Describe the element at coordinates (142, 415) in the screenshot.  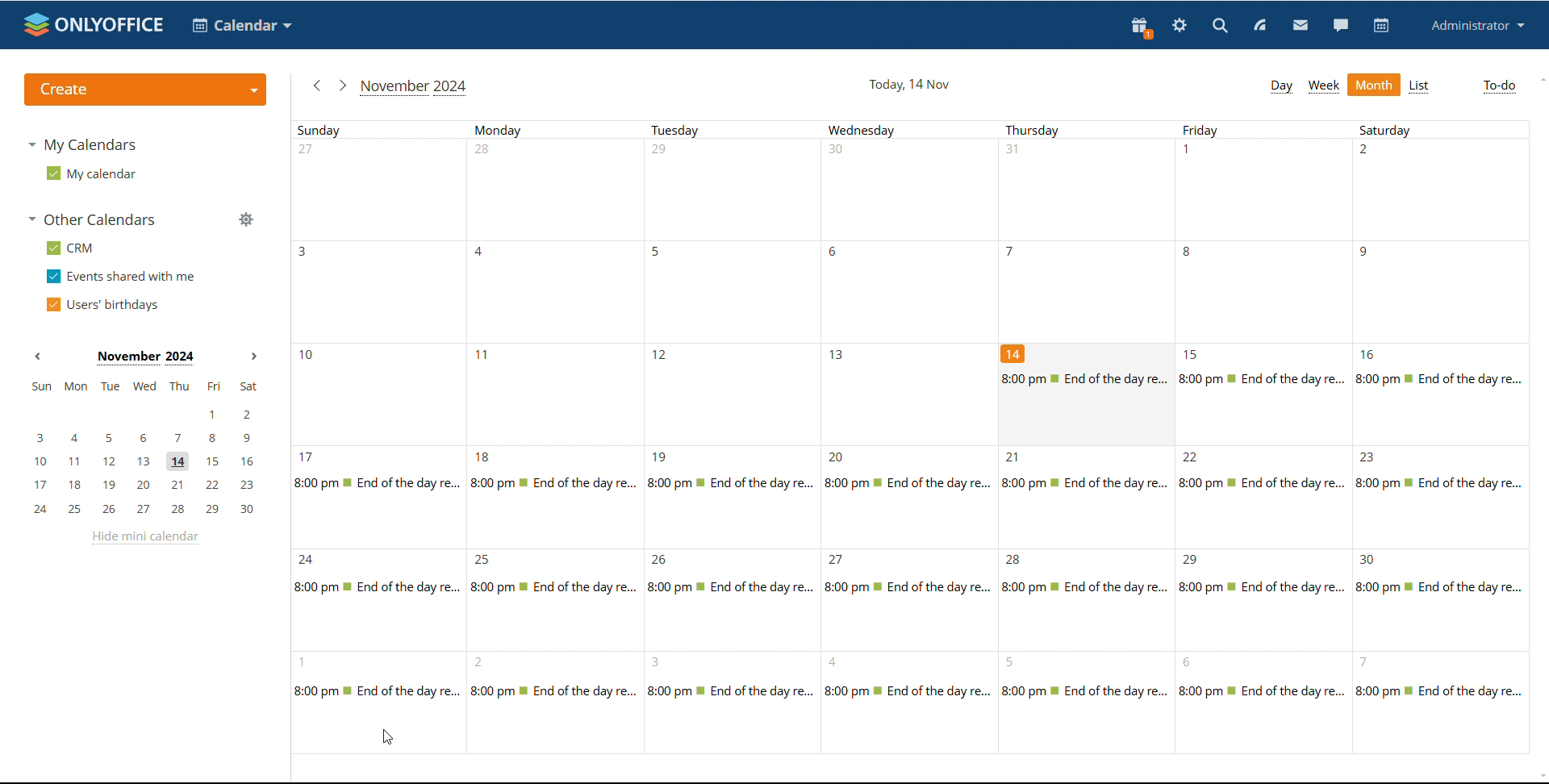
I see `1, 2` at that location.